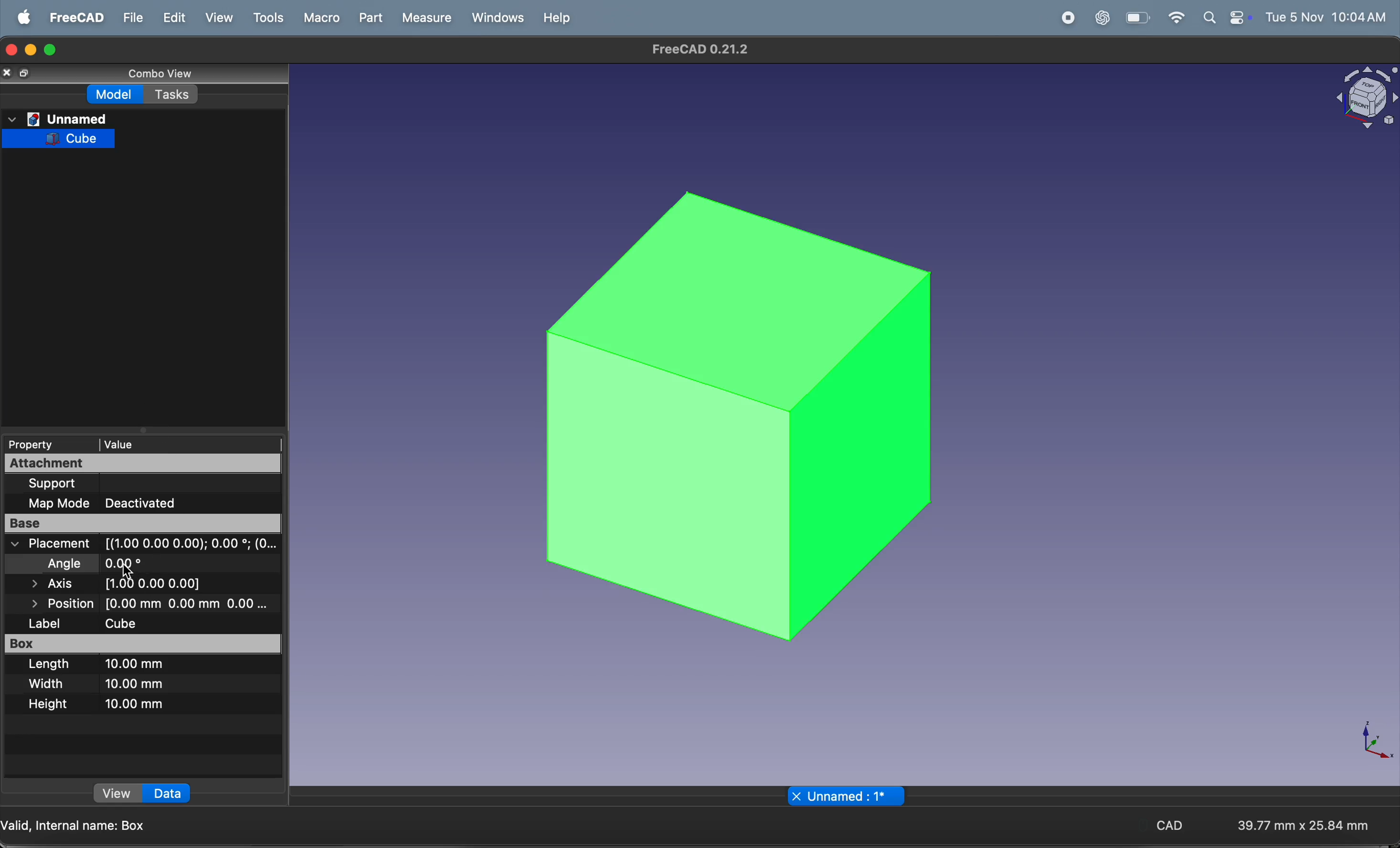  I want to click on Data », so click(167, 793).